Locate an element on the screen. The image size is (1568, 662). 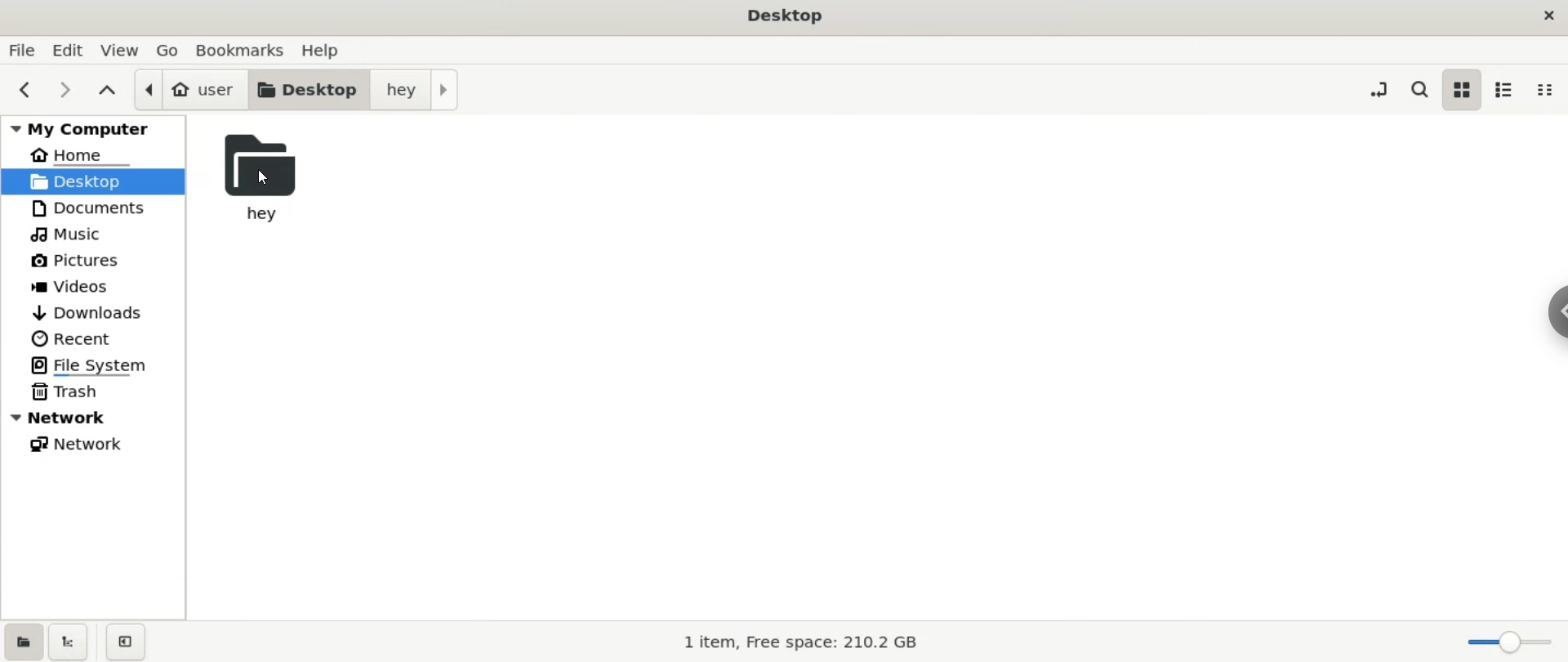
bookmarks is located at coordinates (245, 51).